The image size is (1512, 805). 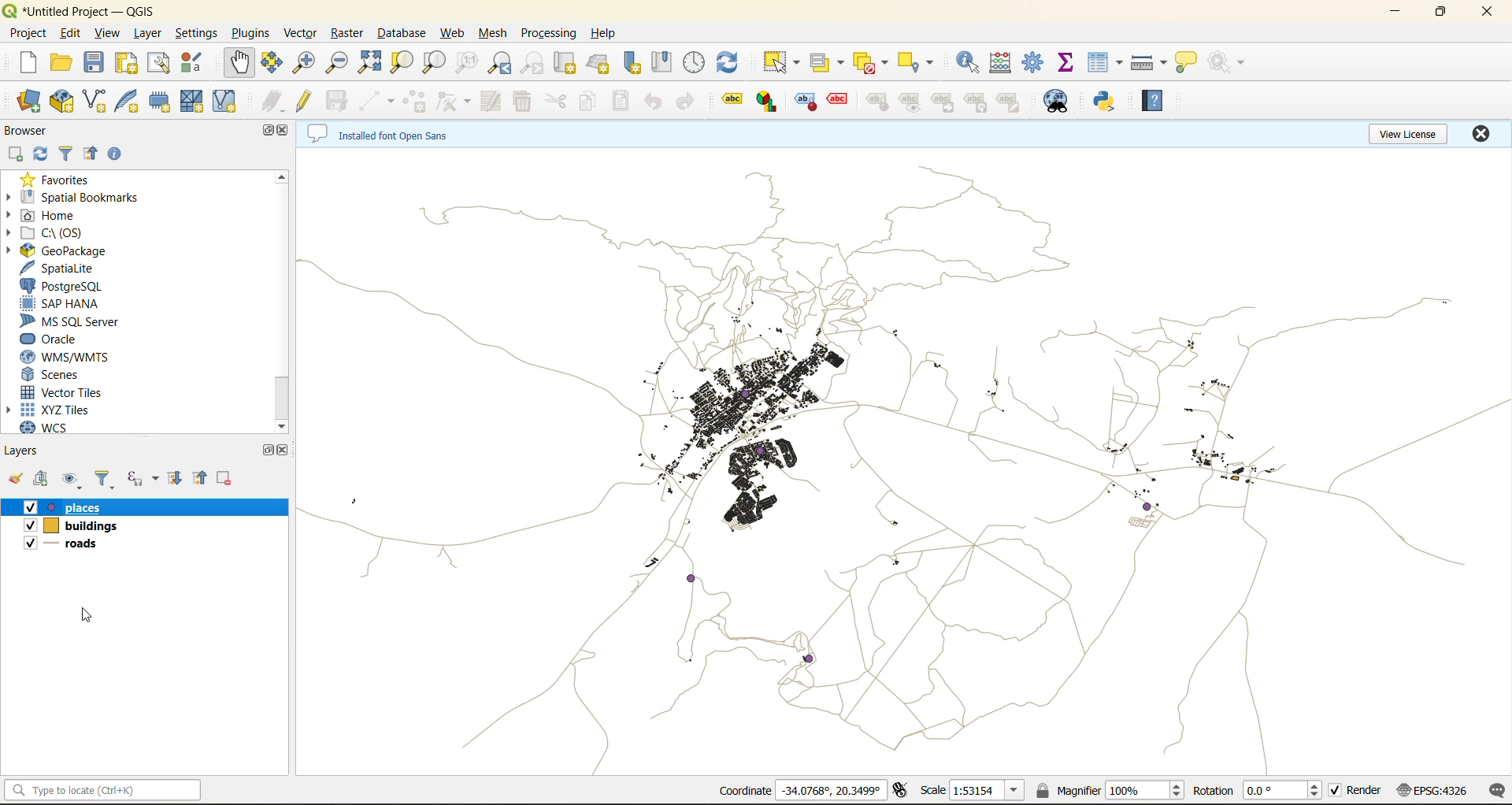 What do you see at coordinates (131, 99) in the screenshot?
I see `new spatialite layer` at bounding box center [131, 99].